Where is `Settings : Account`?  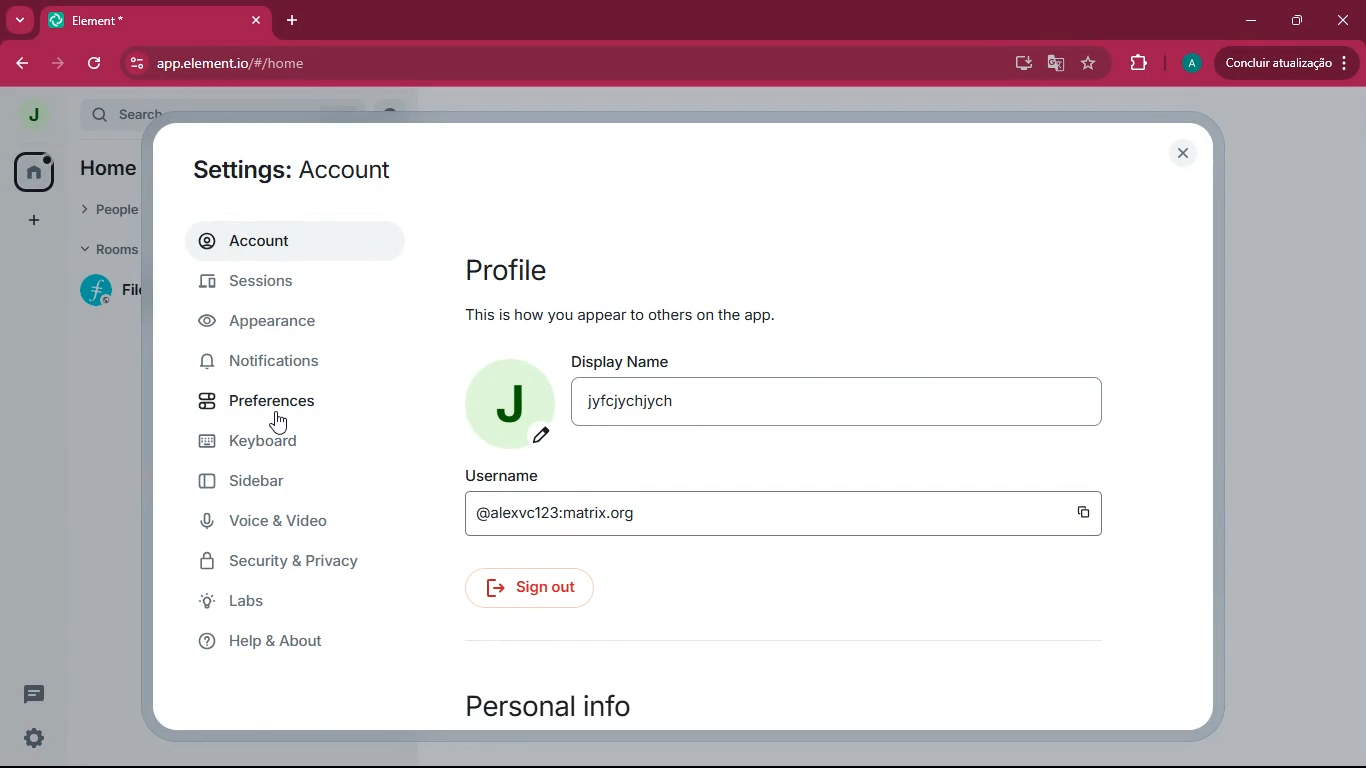
Settings : Account is located at coordinates (299, 169).